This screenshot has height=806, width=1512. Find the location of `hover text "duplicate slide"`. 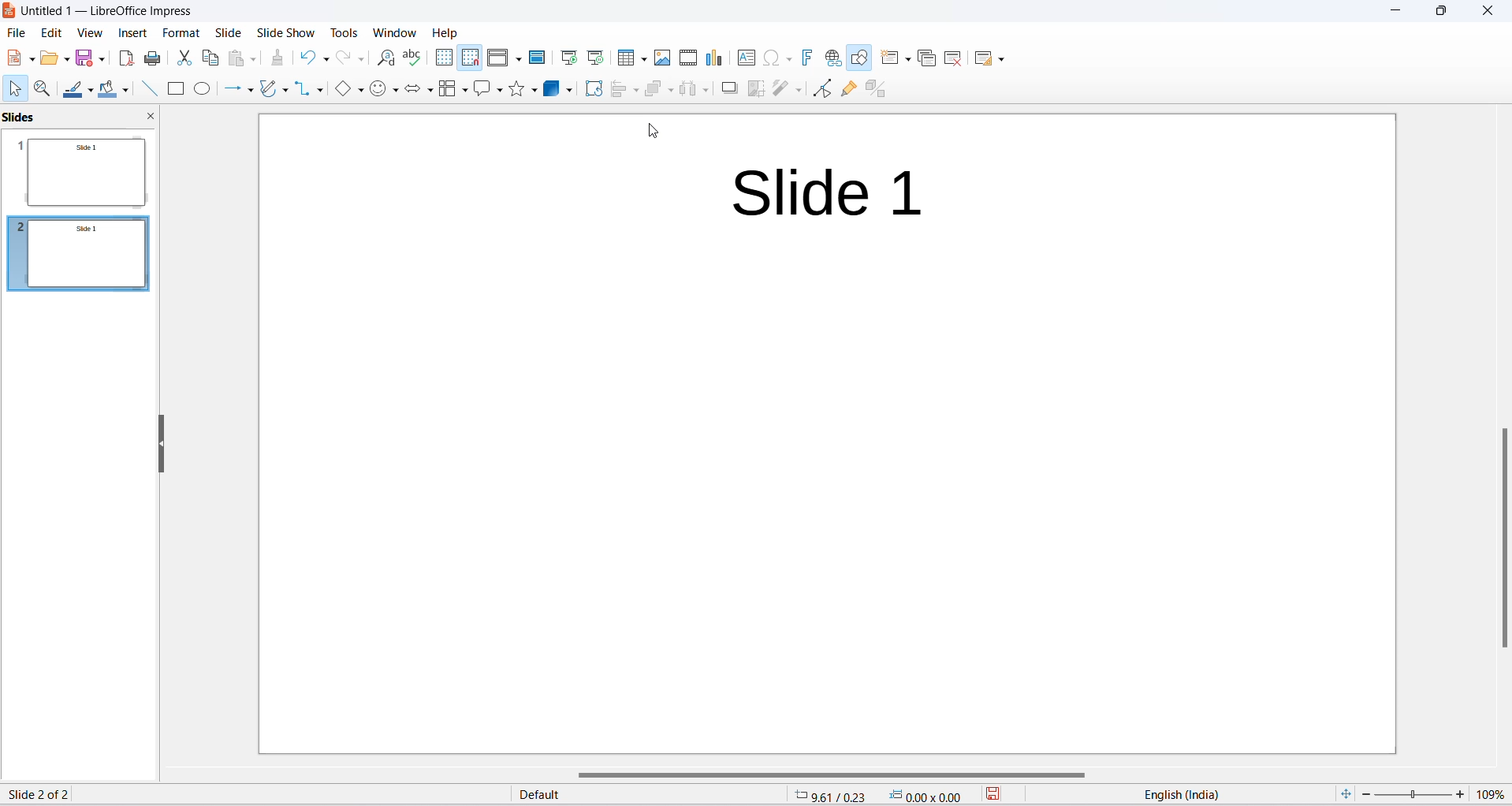

hover text "duplicate slide" is located at coordinates (975, 96).